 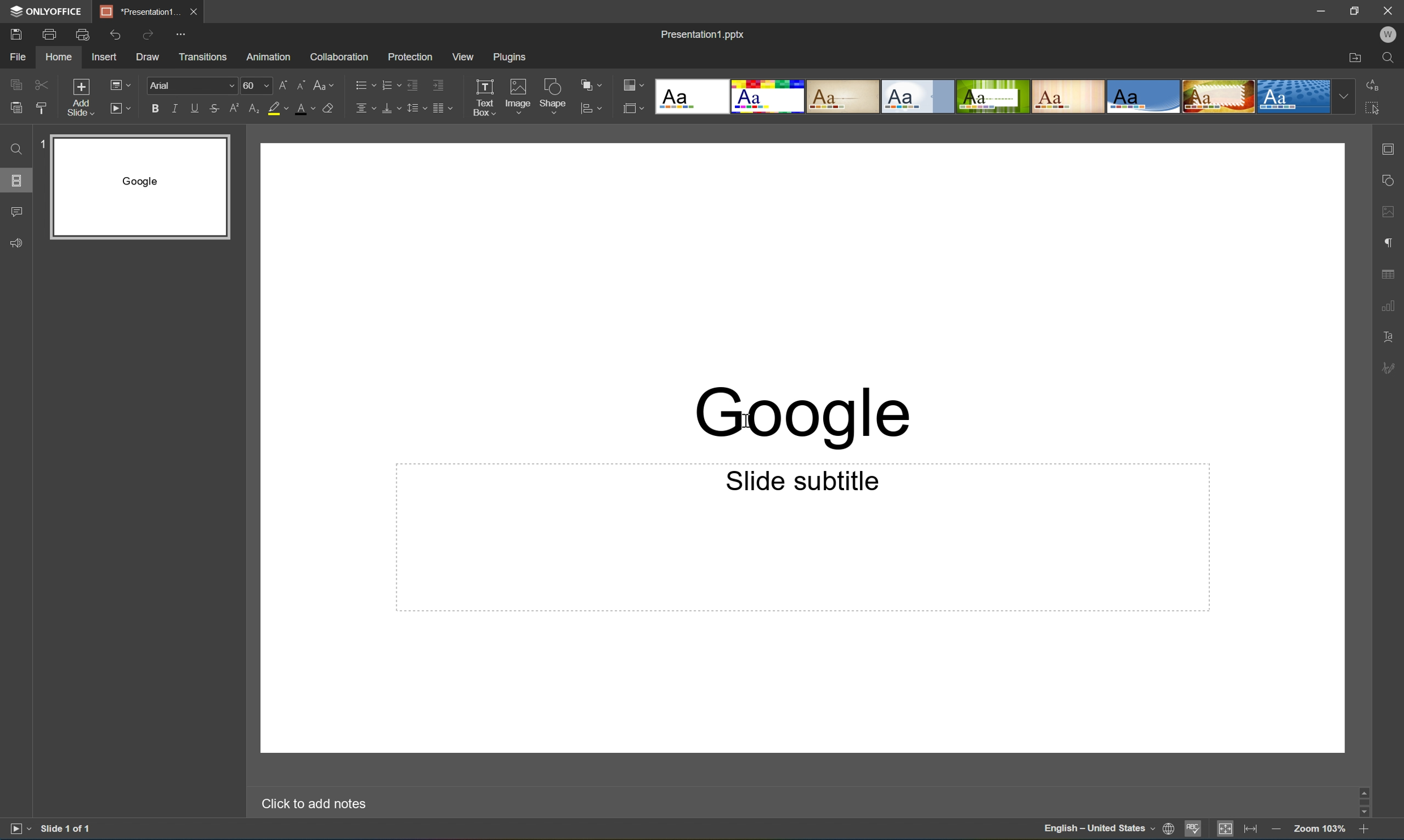 I want to click on Drop down, so click(x=1343, y=95).